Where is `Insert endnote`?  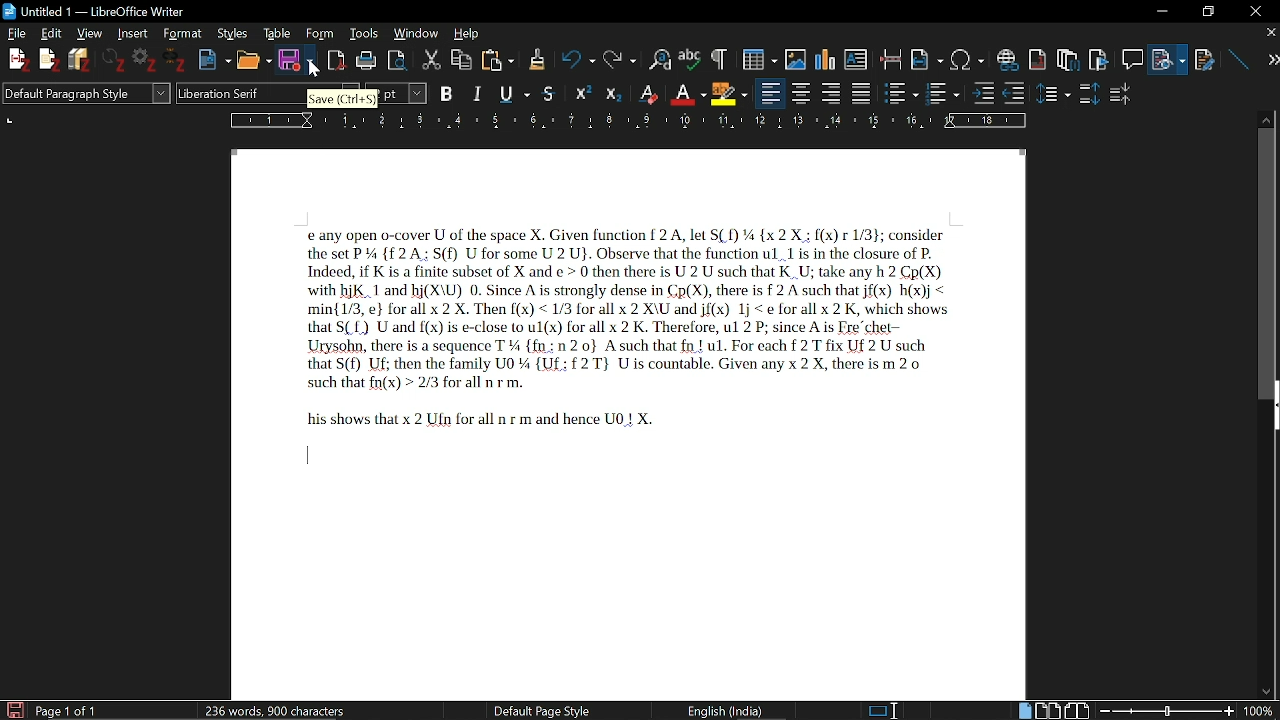
Insert endnote is located at coordinates (1039, 55).